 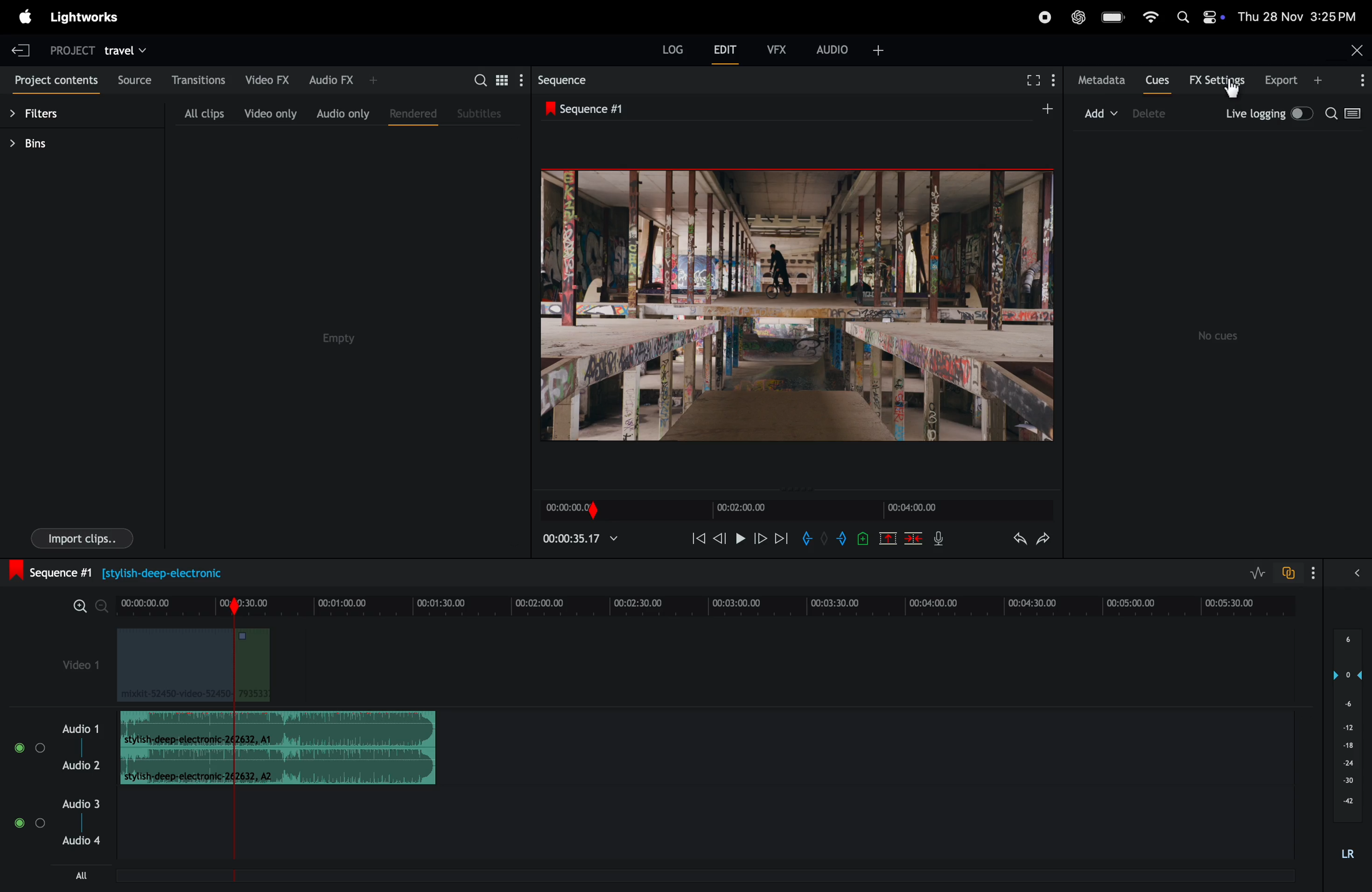 What do you see at coordinates (579, 538) in the screenshot?
I see `time frame` at bounding box center [579, 538].